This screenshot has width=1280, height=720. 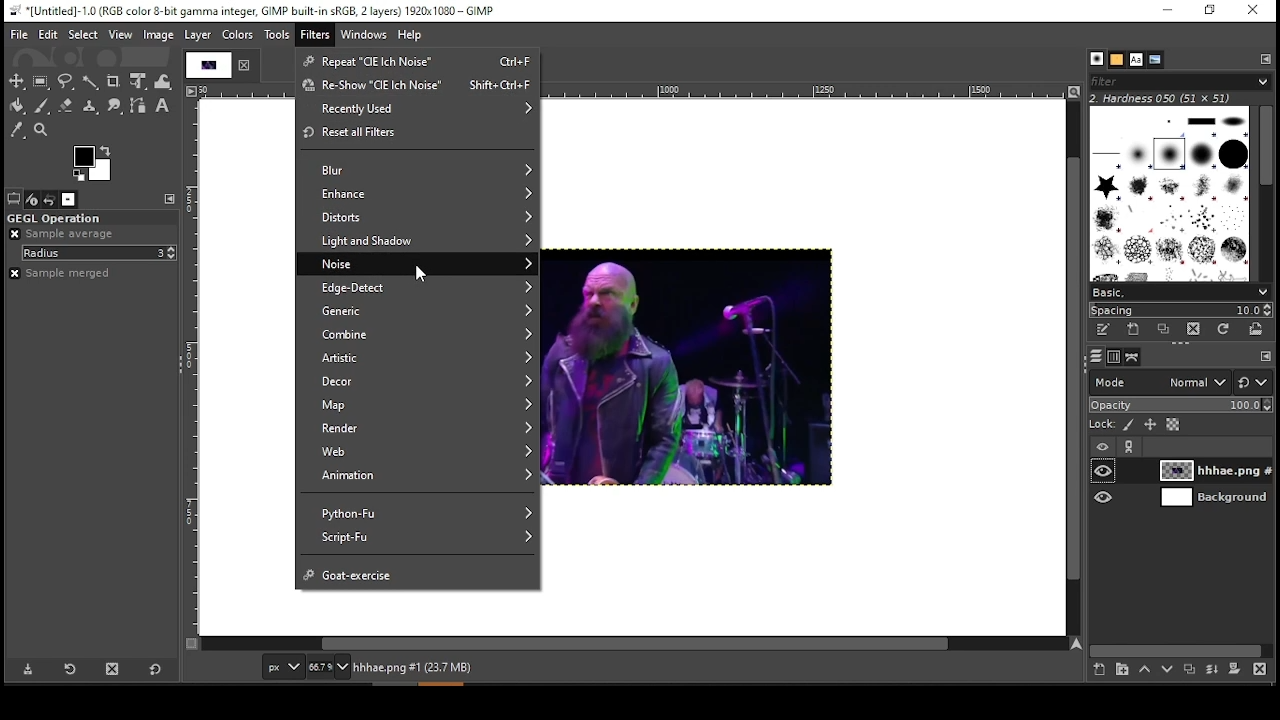 What do you see at coordinates (120, 35) in the screenshot?
I see `view` at bounding box center [120, 35].